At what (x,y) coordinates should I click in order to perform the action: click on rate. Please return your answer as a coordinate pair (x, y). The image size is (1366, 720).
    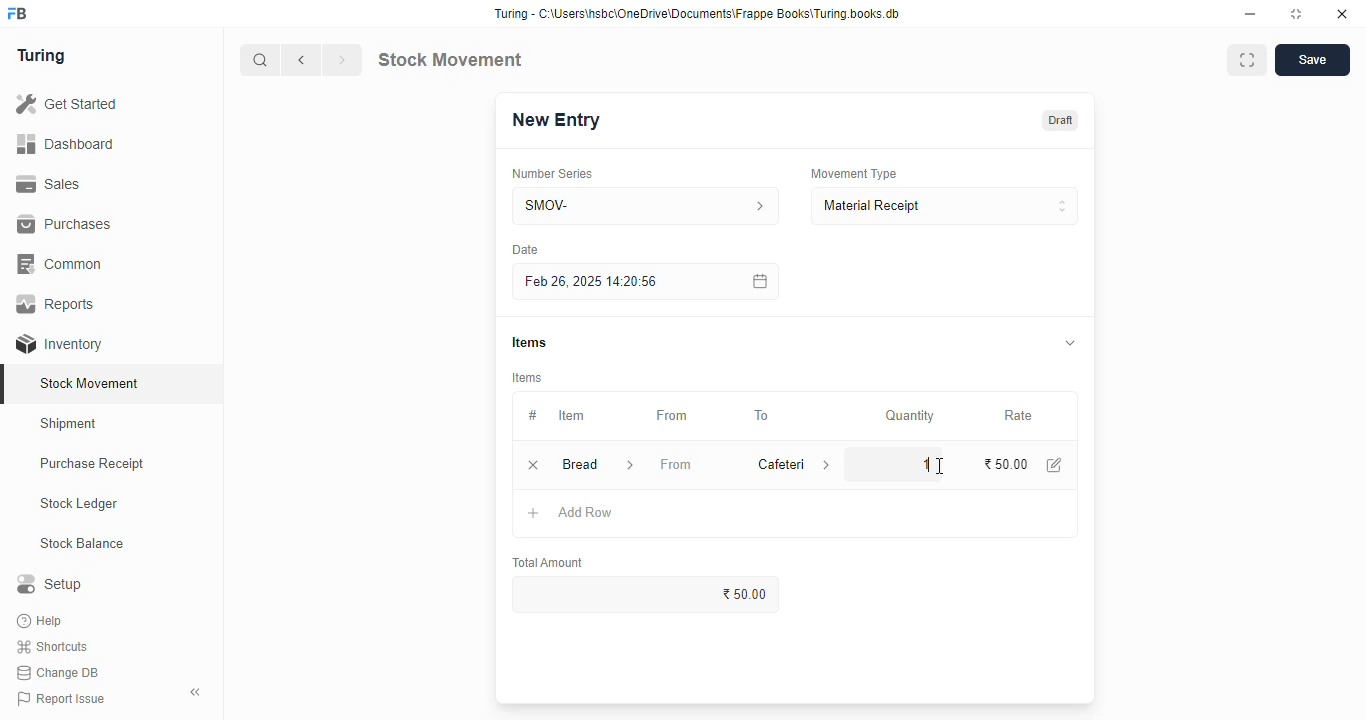
    Looking at the image, I should click on (1019, 416).